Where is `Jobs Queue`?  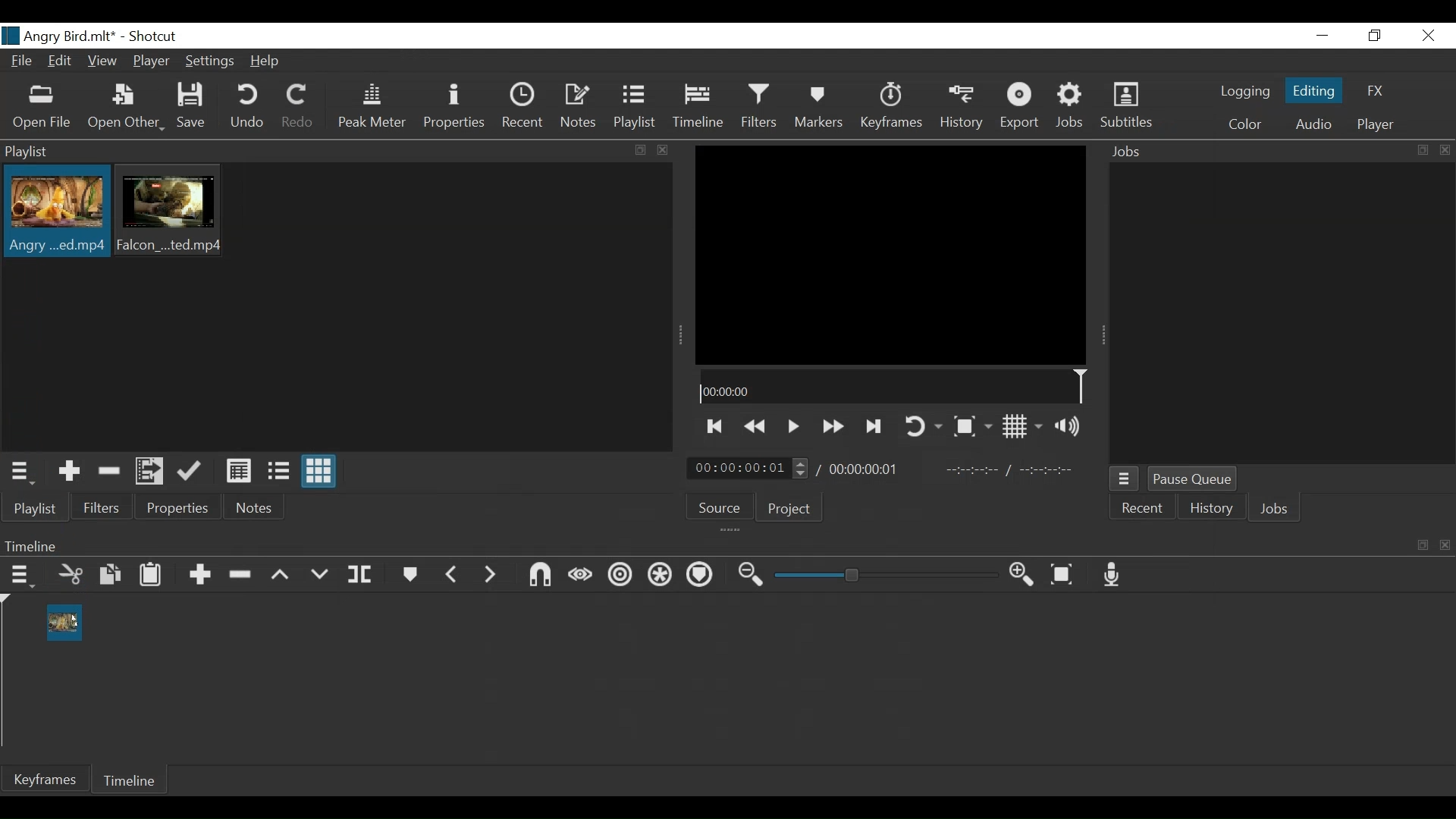
Jobs Queue is located at coordinates (1125, 479).